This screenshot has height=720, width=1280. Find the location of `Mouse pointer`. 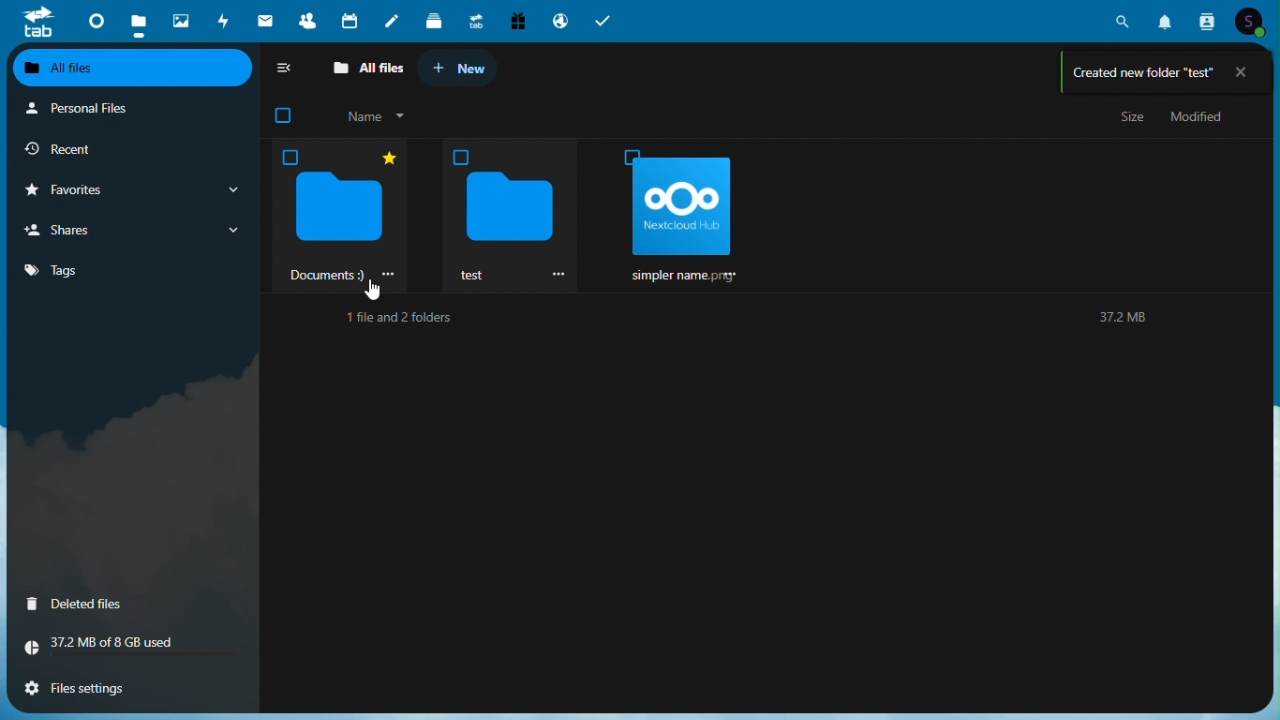

Mouse pointer is located at coordinates (371, 289).